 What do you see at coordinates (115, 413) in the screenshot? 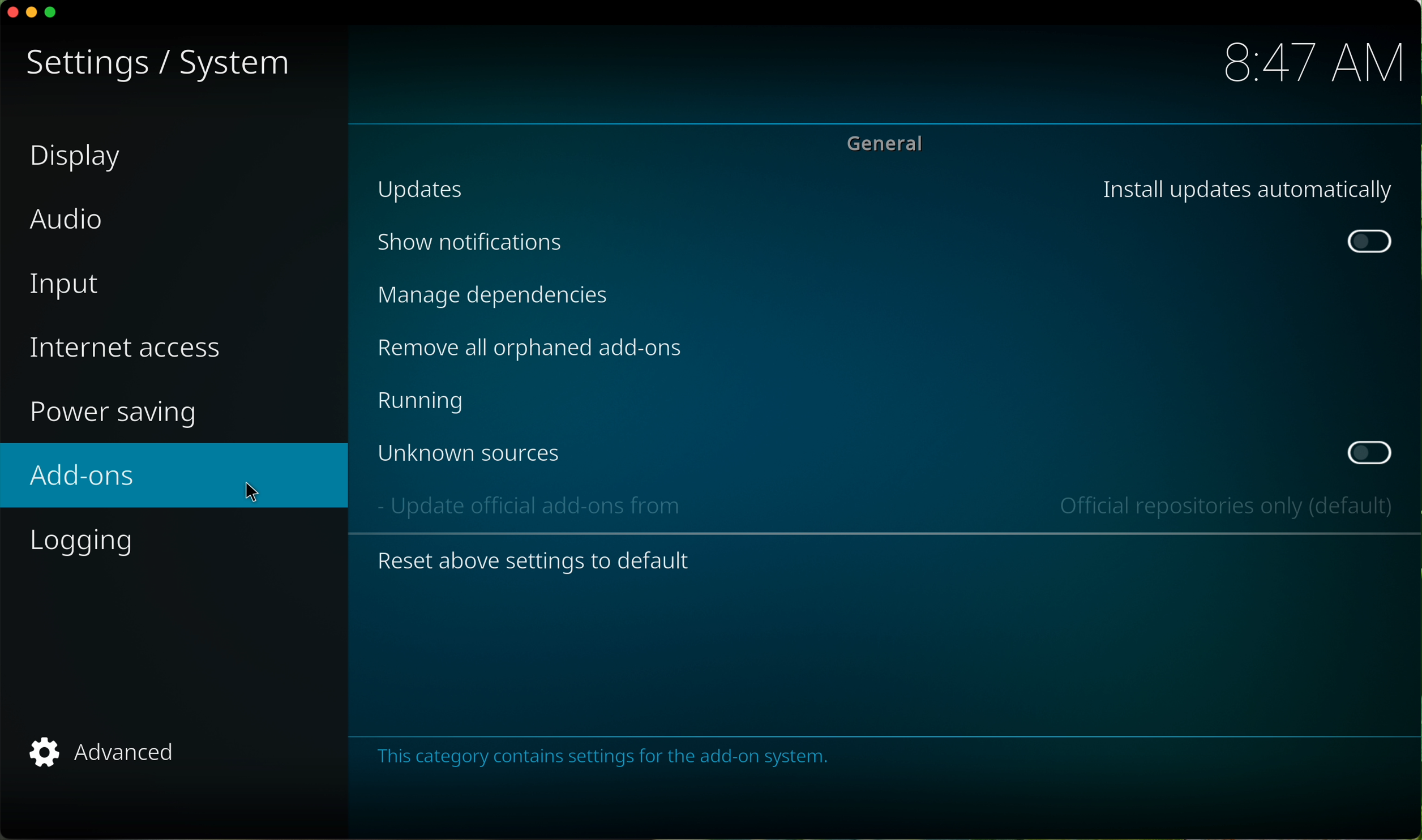
I see `power saving` at bounding box center [115, 413].